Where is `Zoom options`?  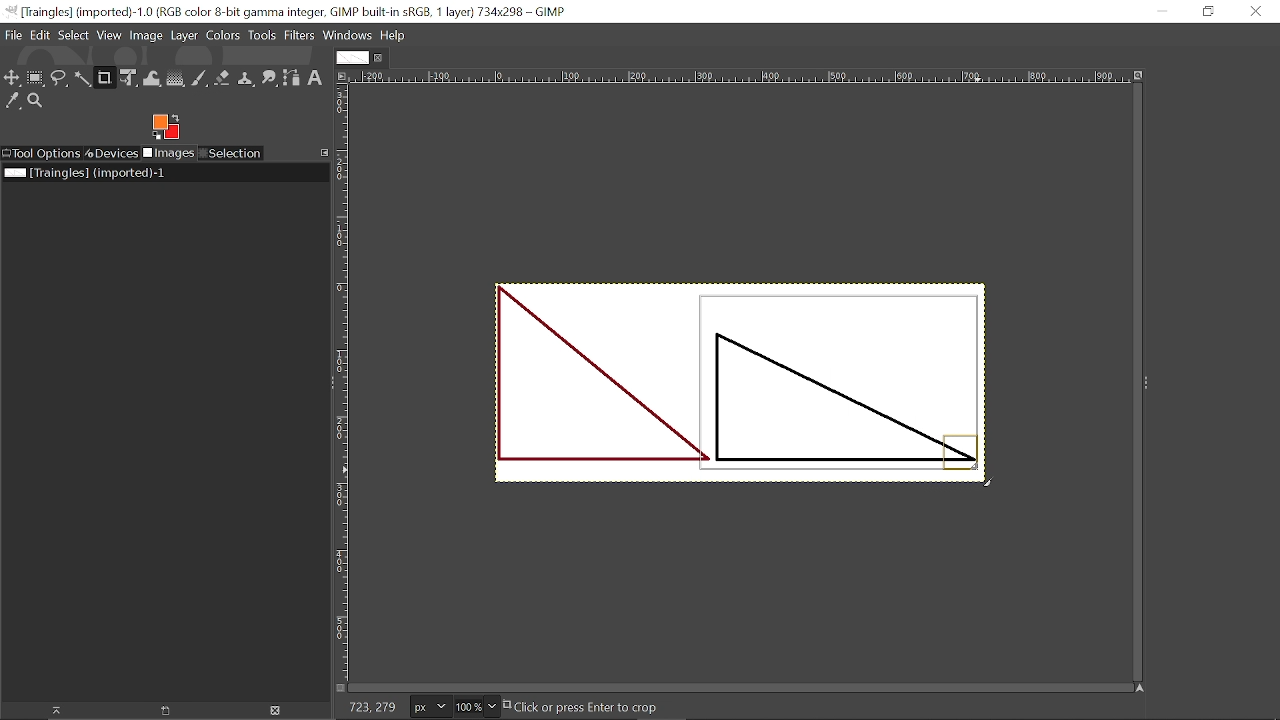 Zoom options is located at coordinates (491, 707).